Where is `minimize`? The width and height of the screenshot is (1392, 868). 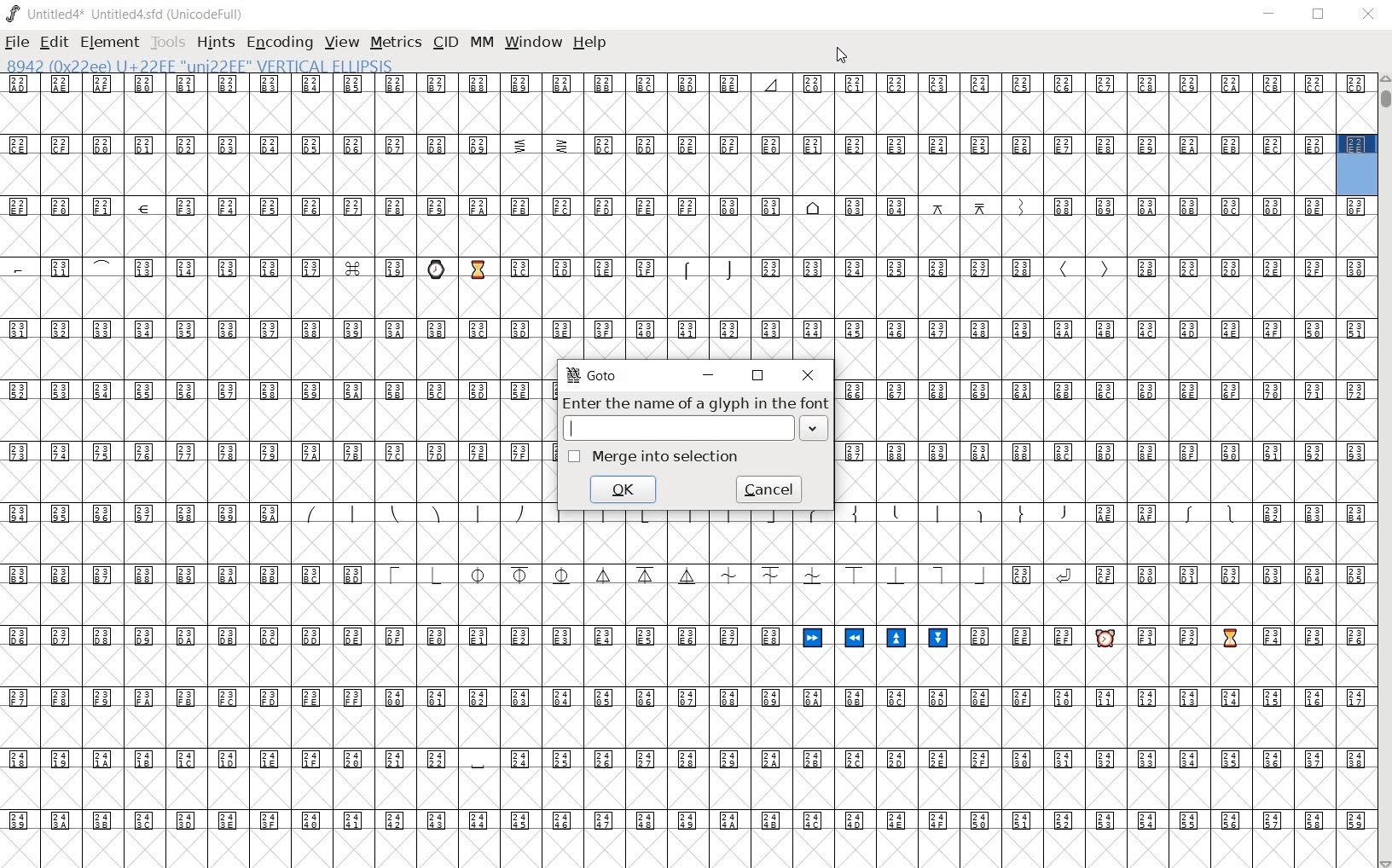
minimize is located at coordinates (710, 373).